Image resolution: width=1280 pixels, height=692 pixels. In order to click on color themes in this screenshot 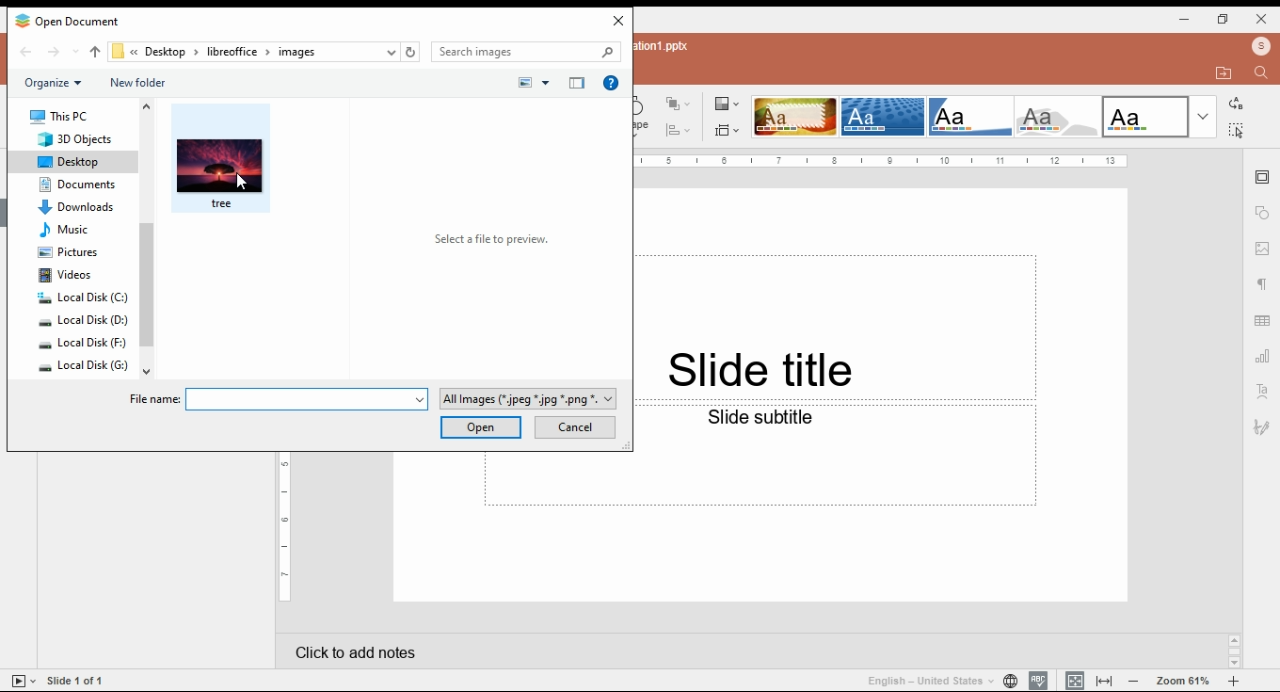, I will do `click(724, 103)`.